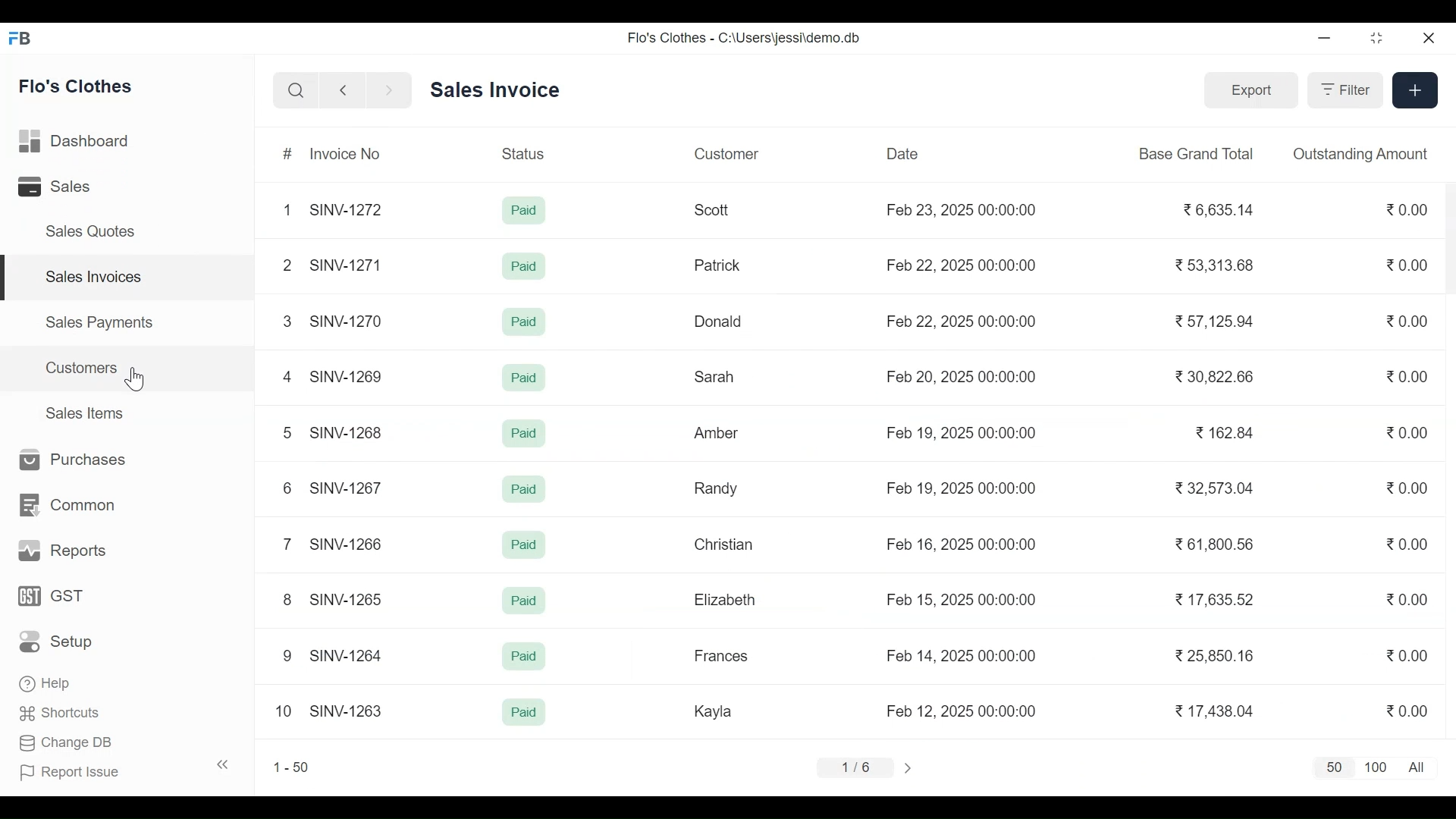 This screenshot has width=1456, height=819. Describe the element at coordinates (1407, 321) in the screenshot. I see `0.00` at that location.